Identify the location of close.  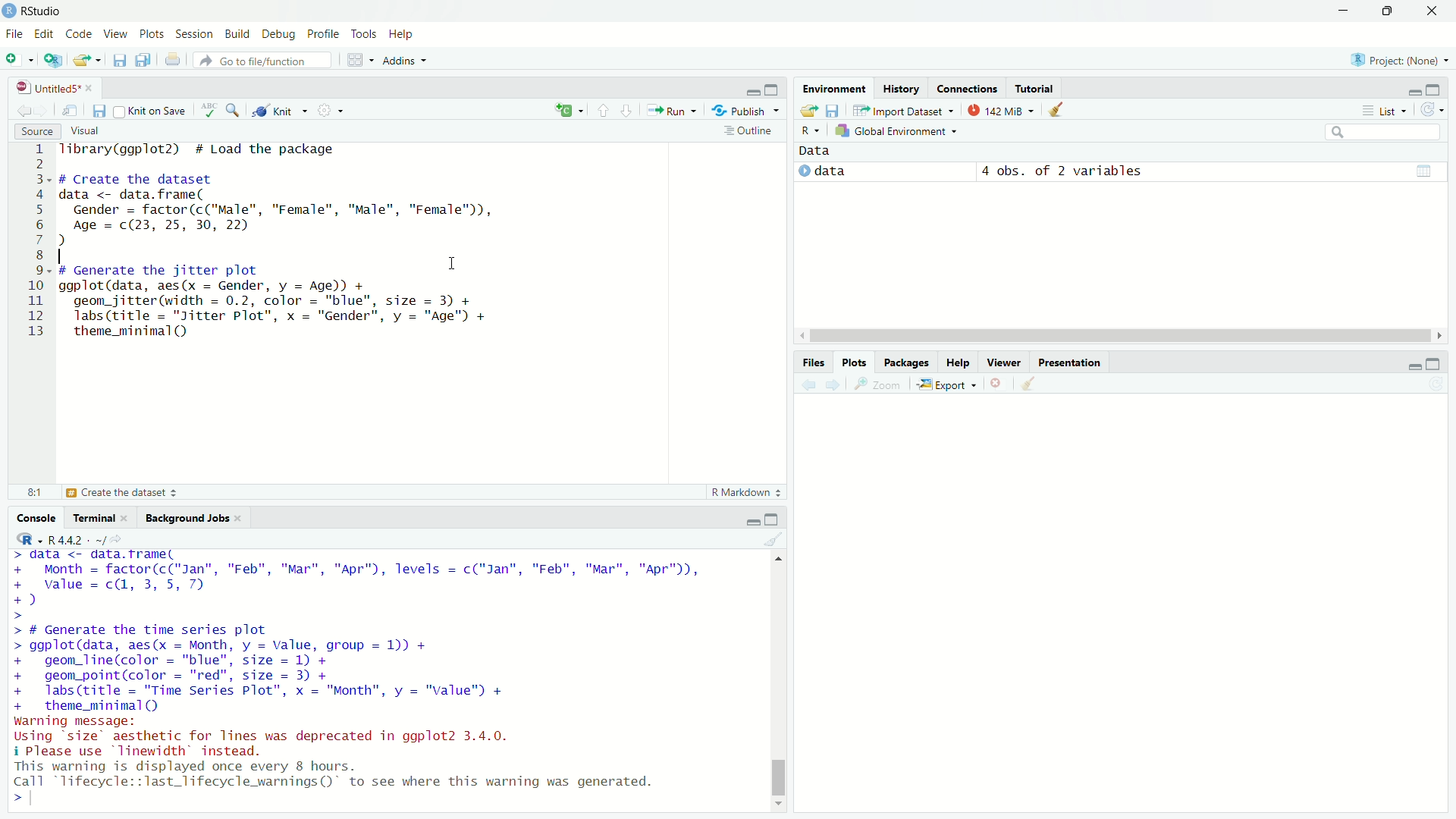
(1436, 11).